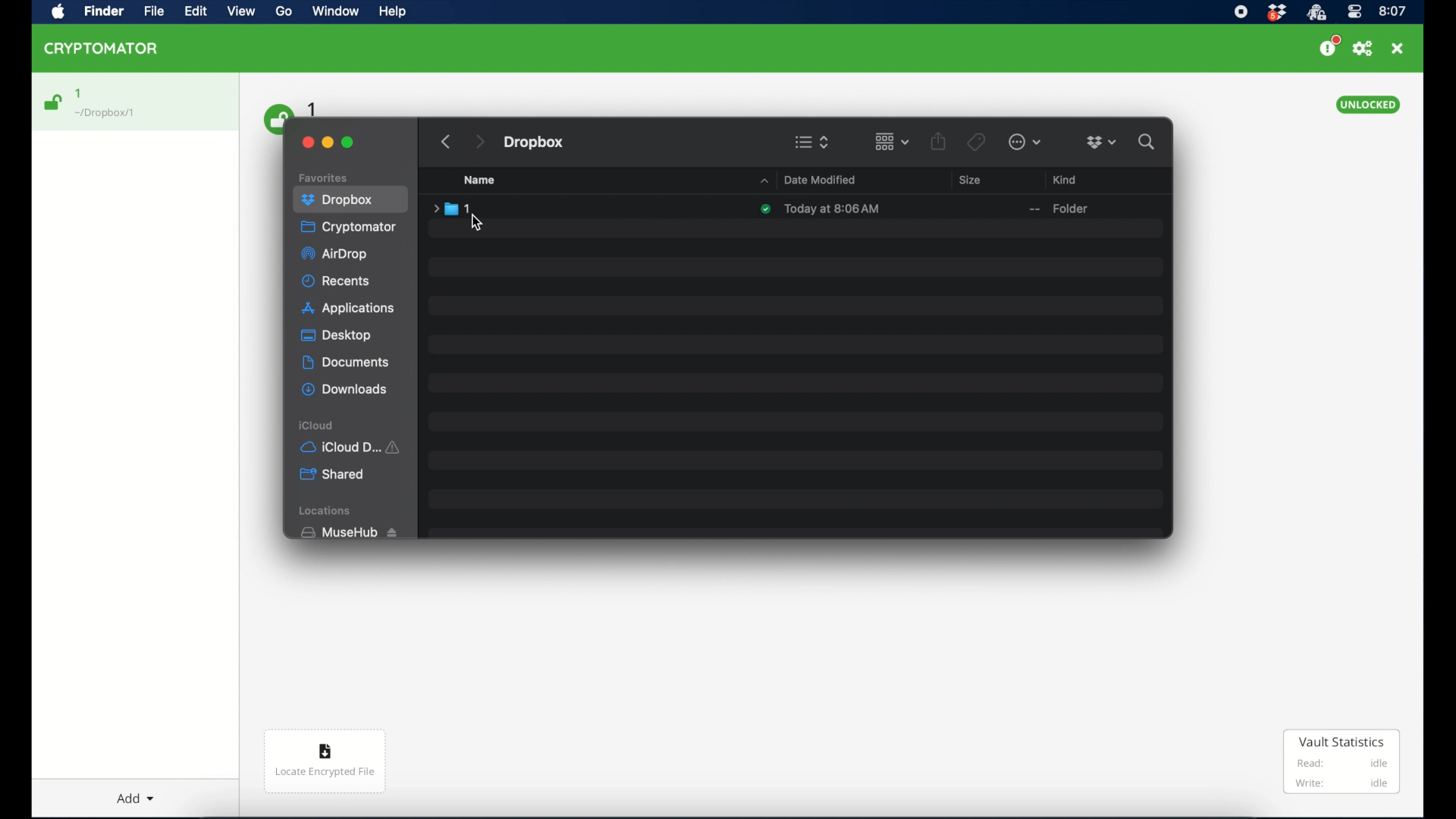 The height and width of the screenshot is (819, 1456). I want to click on View, so click(243, 14).